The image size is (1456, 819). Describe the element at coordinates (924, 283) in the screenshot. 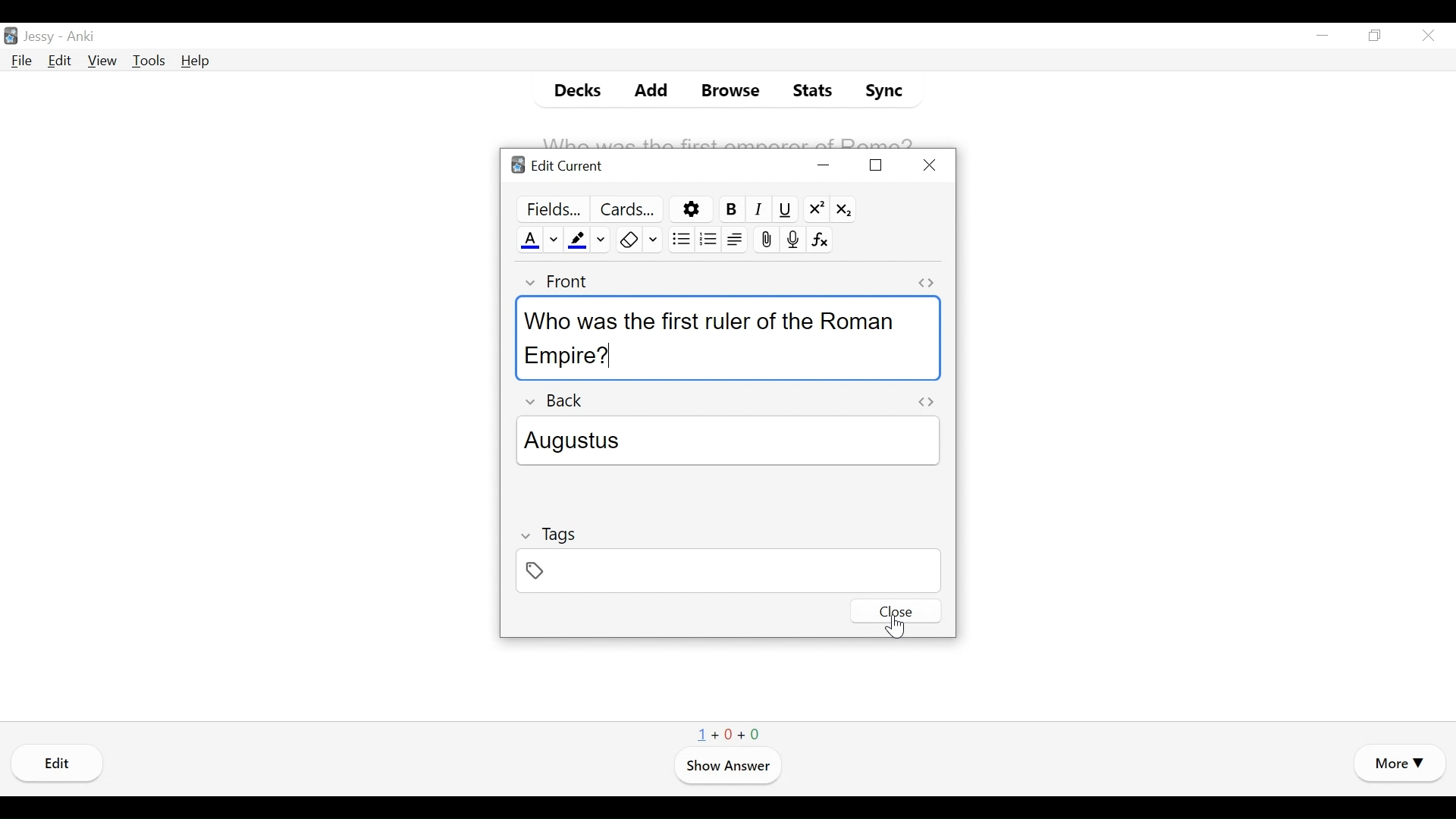

I see `Toggle HTML Editor` at that location.